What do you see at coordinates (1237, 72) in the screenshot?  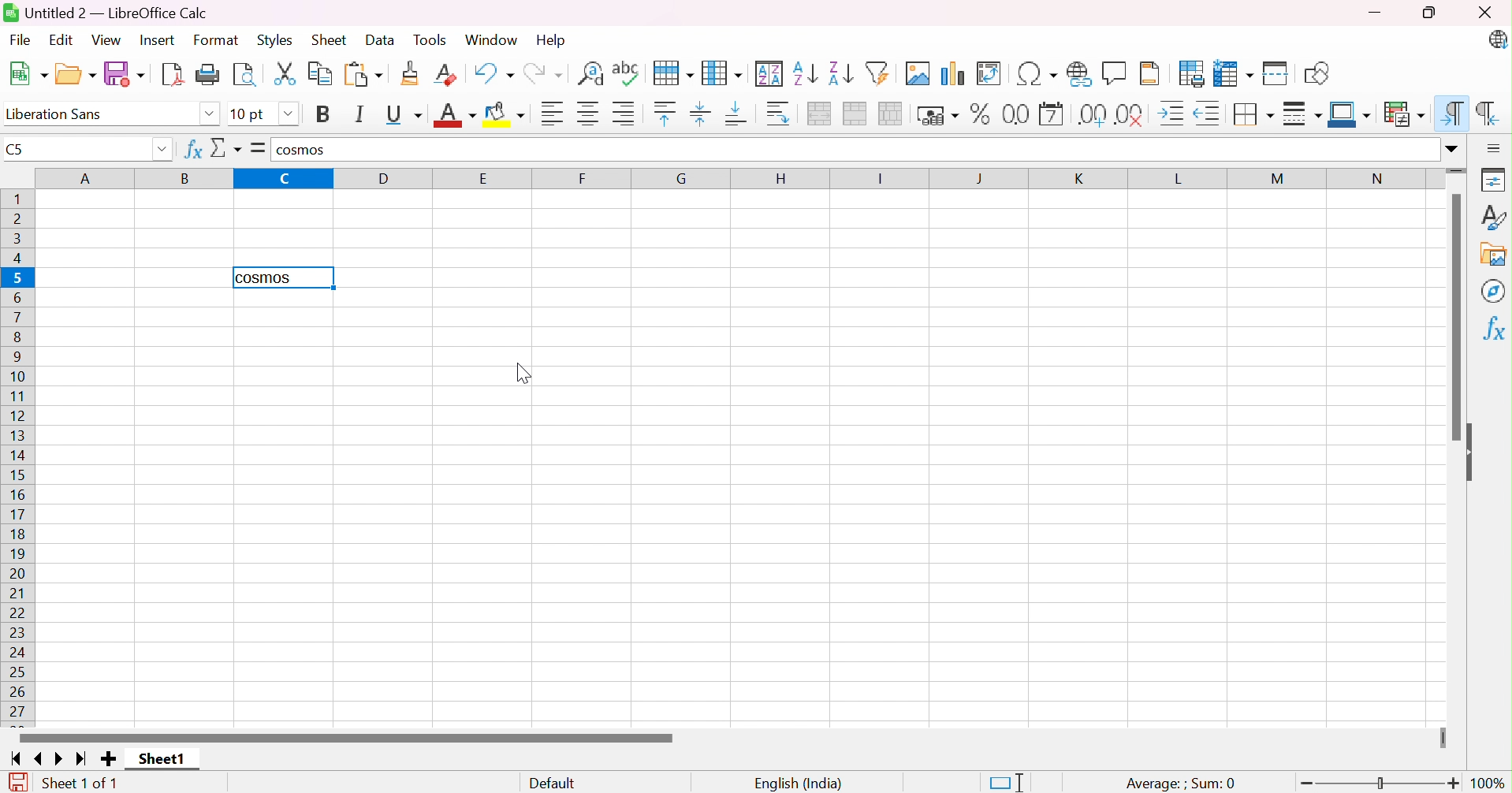 I see `Freeze Rows and Columns` at bounding box center [1237, 72].